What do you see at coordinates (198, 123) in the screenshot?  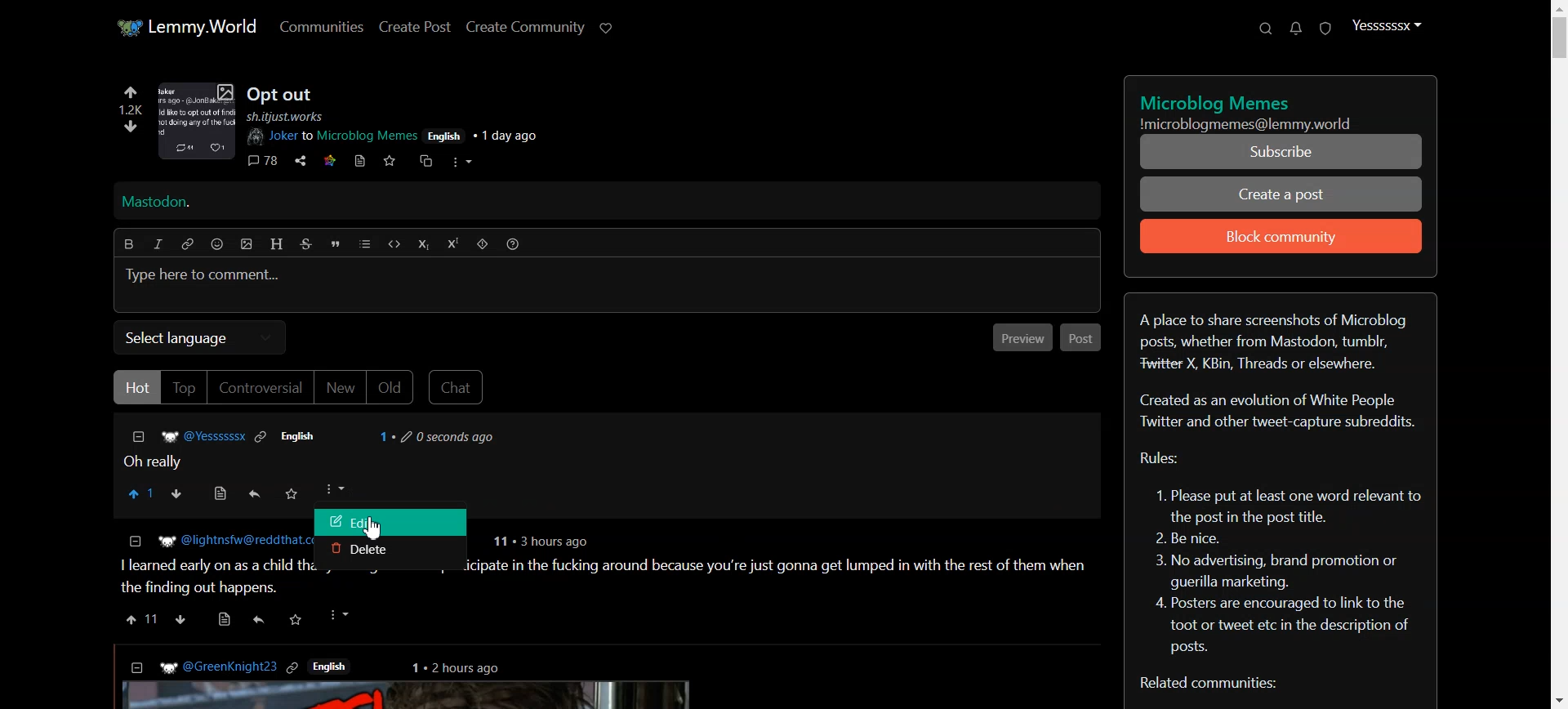 I see `image` at bounding box center [198, 123].